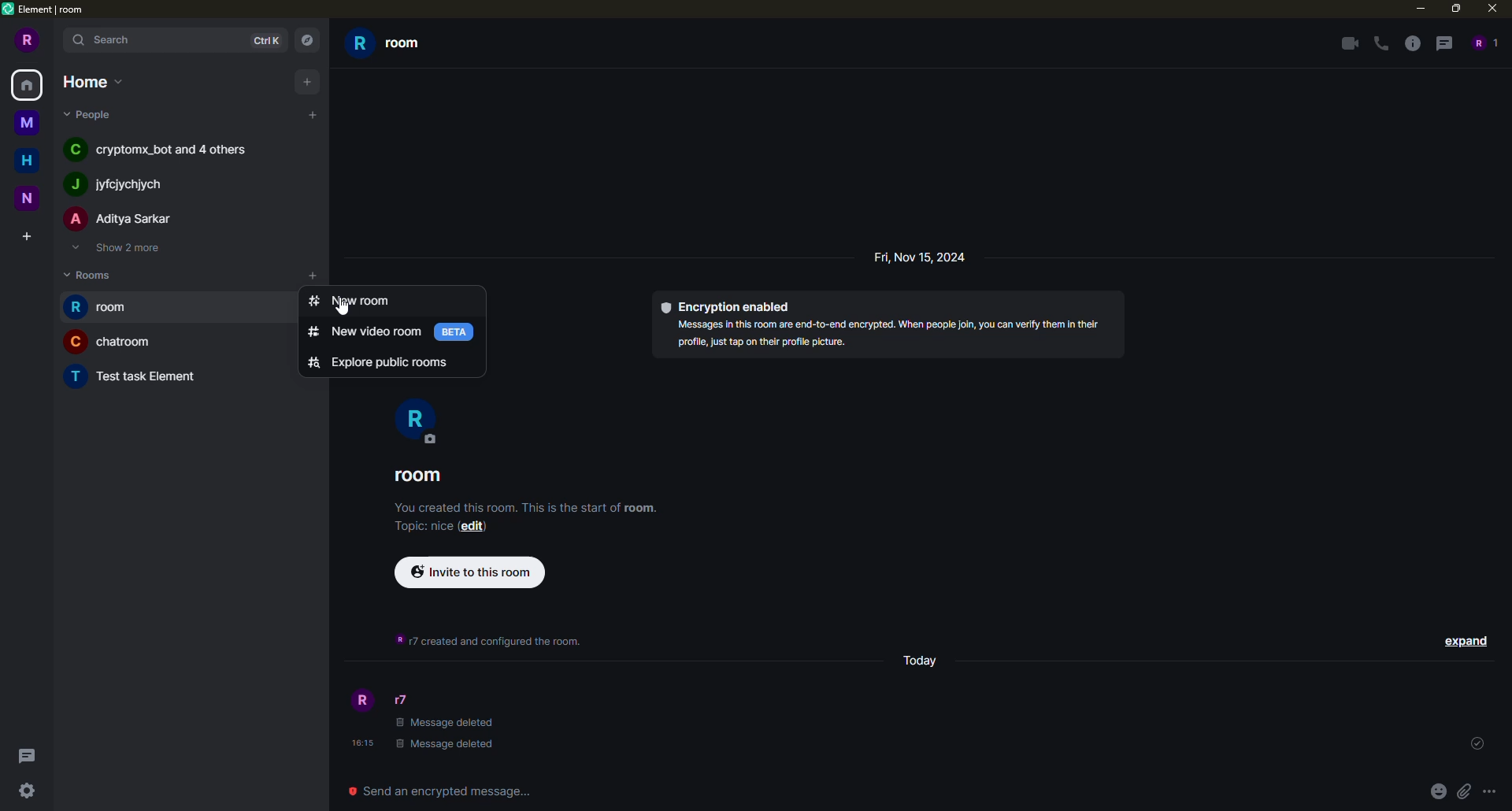 Image resolution: width=1512 pixels, height=811 pixels. Describe the element at coordinates (490, 641) in the screenshot. I see `info` at that location.